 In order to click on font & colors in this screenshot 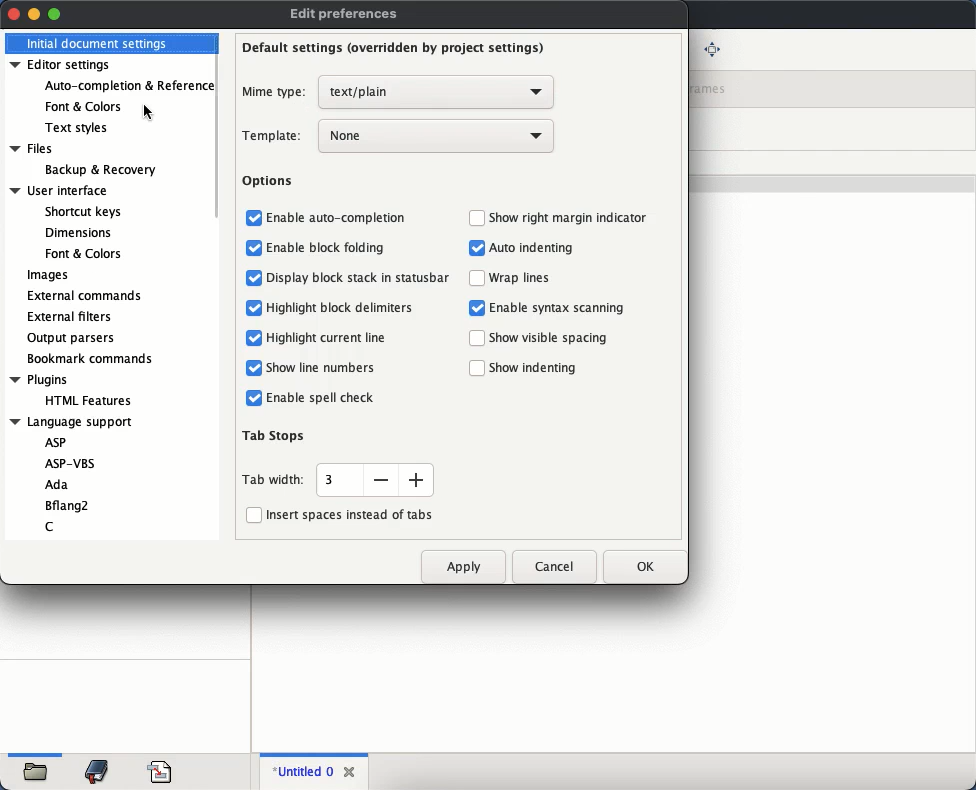, I will do `click(82, 253)`.